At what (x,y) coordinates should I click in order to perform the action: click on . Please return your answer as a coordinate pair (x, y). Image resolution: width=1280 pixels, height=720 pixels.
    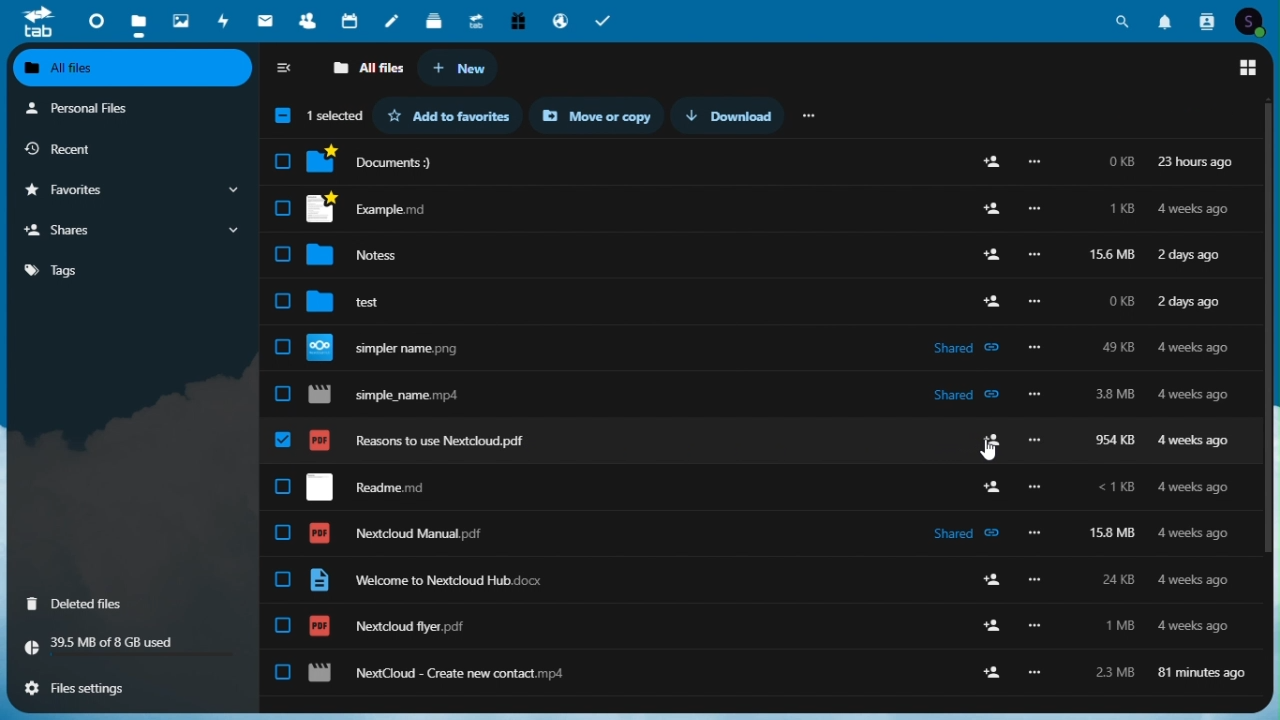
    Looking at the image, I should click on (1032, 673).